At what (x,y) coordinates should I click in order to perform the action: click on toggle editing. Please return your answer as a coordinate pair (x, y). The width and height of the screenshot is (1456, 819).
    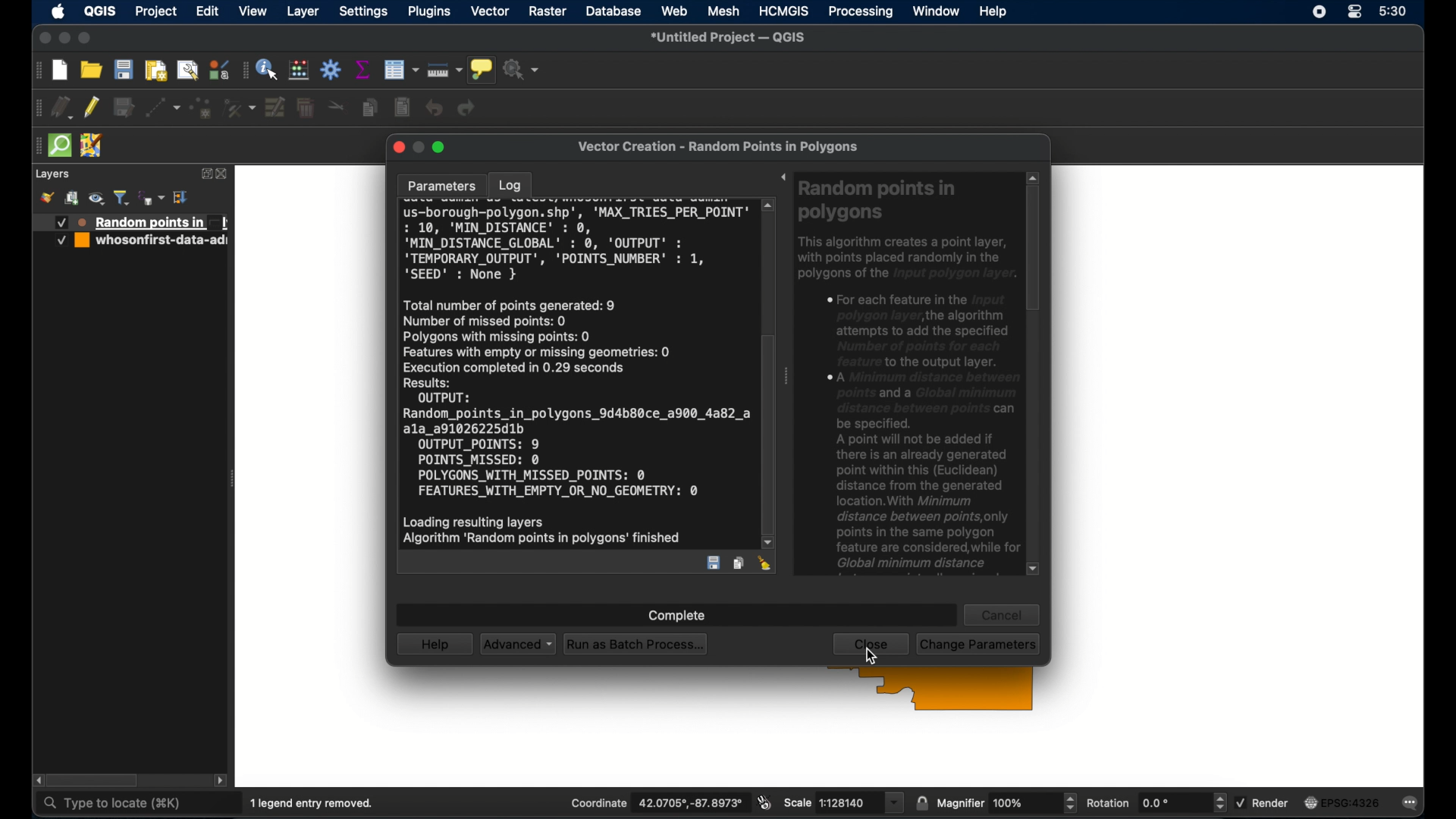
    Looking at the image, I should click on (92, 108).